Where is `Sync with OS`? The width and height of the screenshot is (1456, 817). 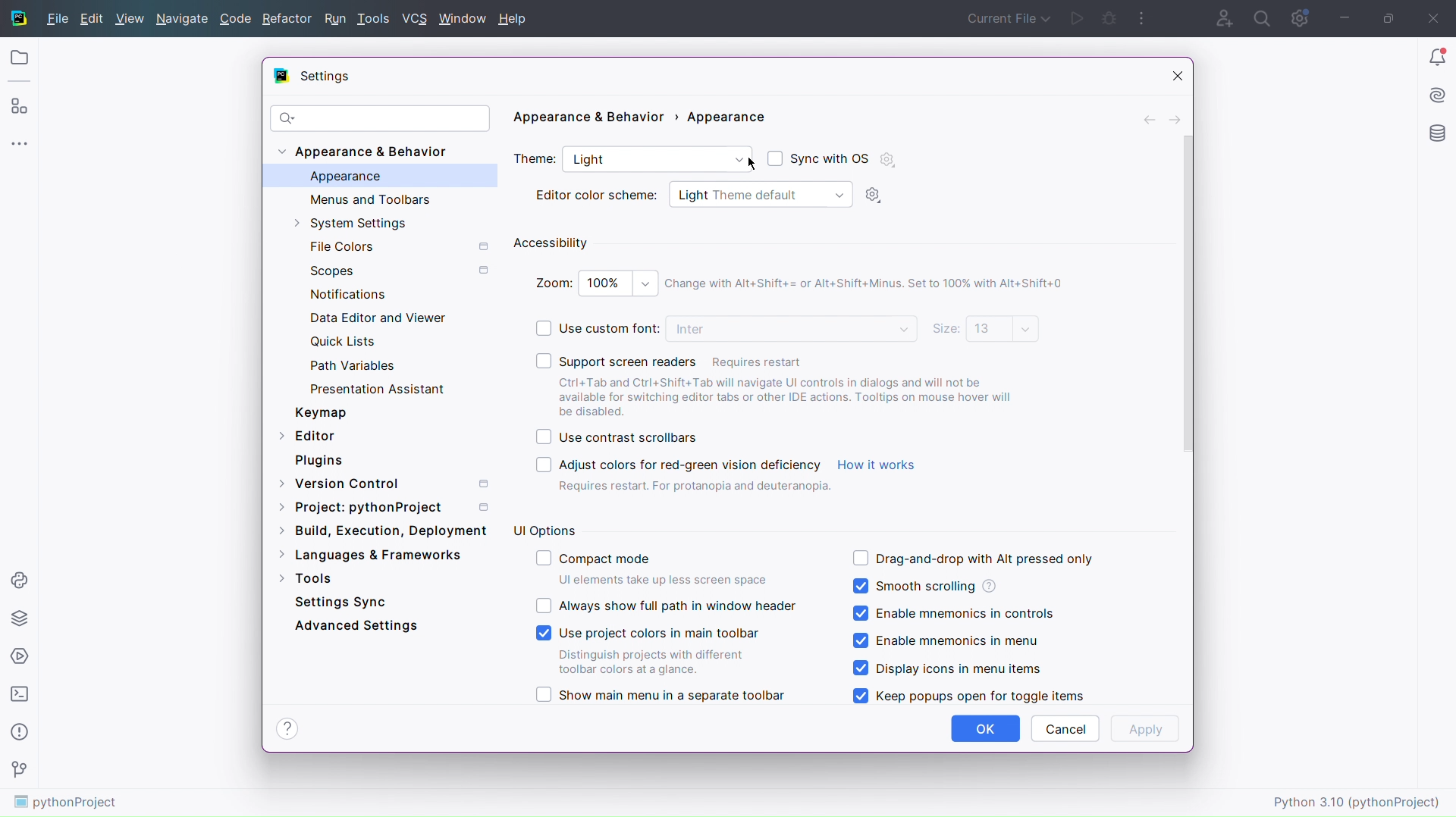
Sync with OS is located at coordinates (817, 157).